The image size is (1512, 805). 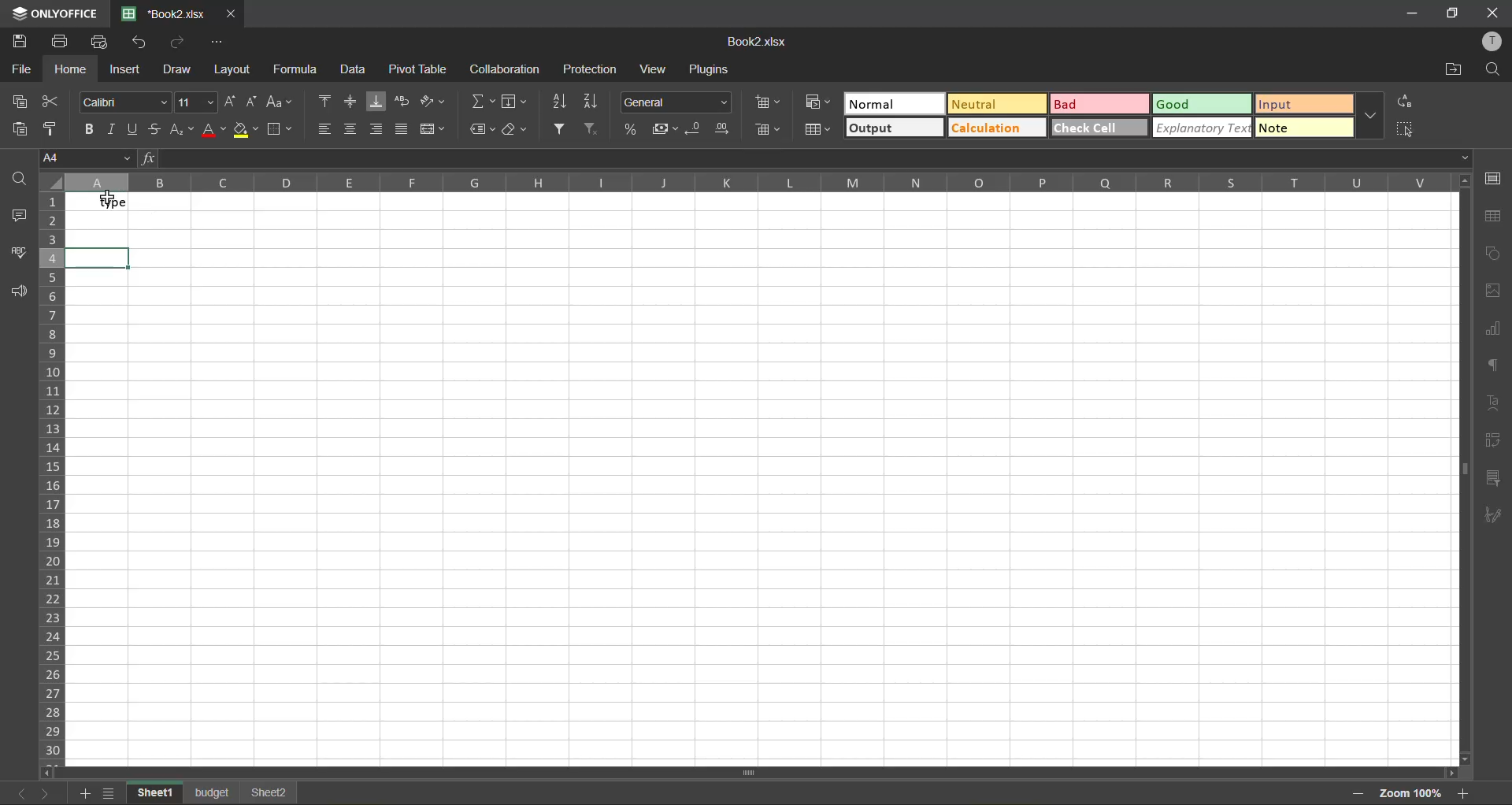 I want to click on clear filter, so click(x=591, y=129).